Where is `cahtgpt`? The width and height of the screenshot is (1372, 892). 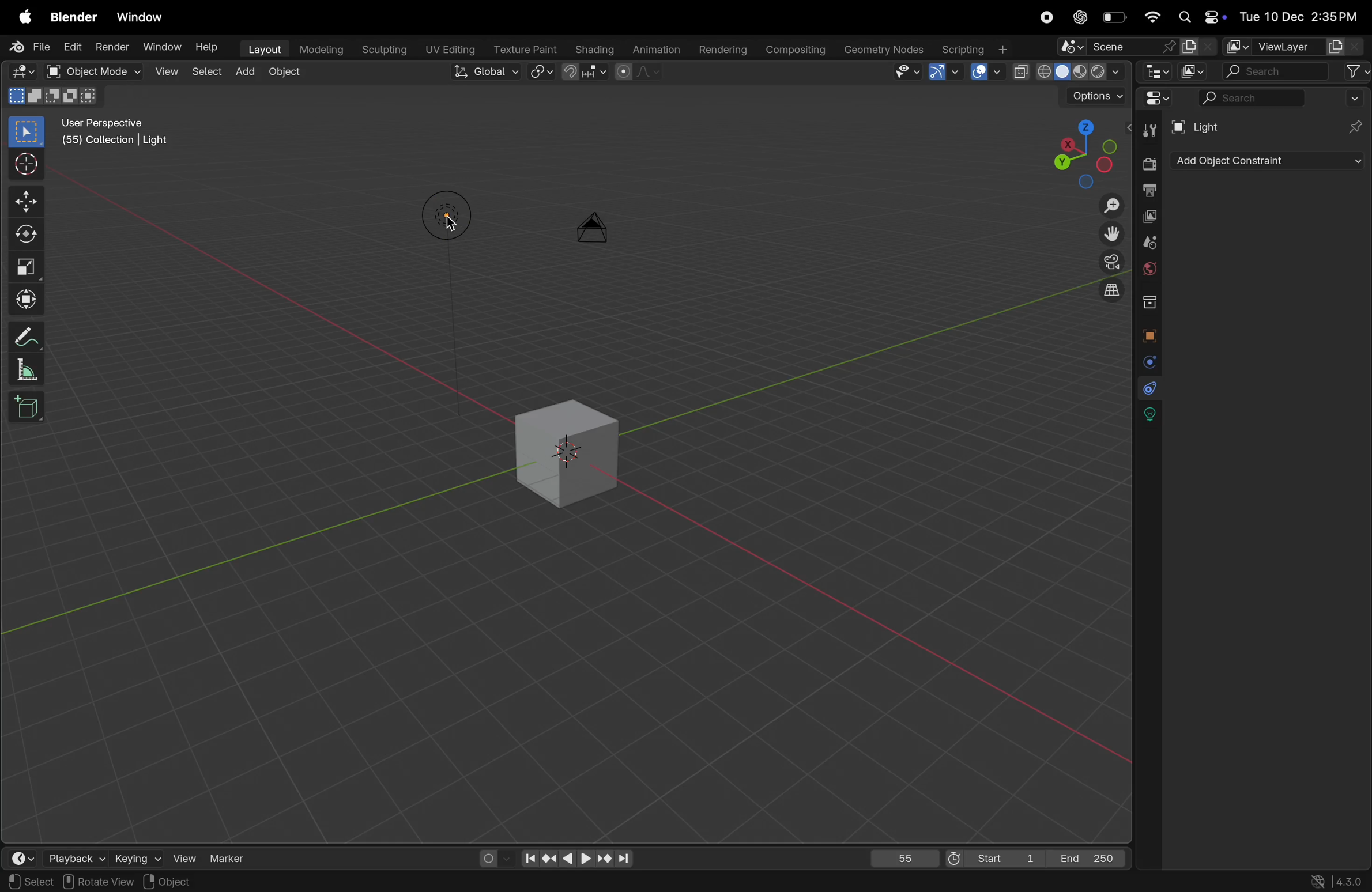 cahtgpt is located at coordinates (1079, 17).